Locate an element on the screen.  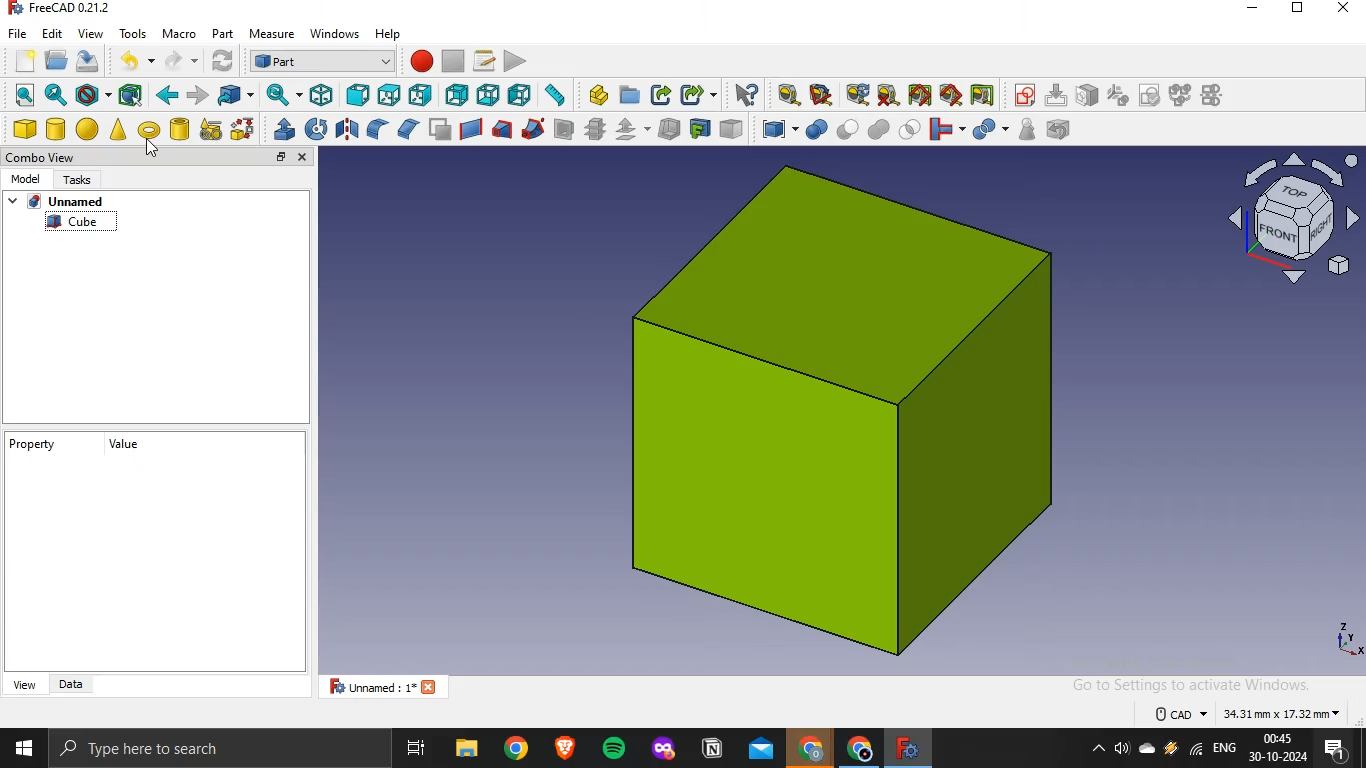
shape builder is located at coordinates (243, 129).